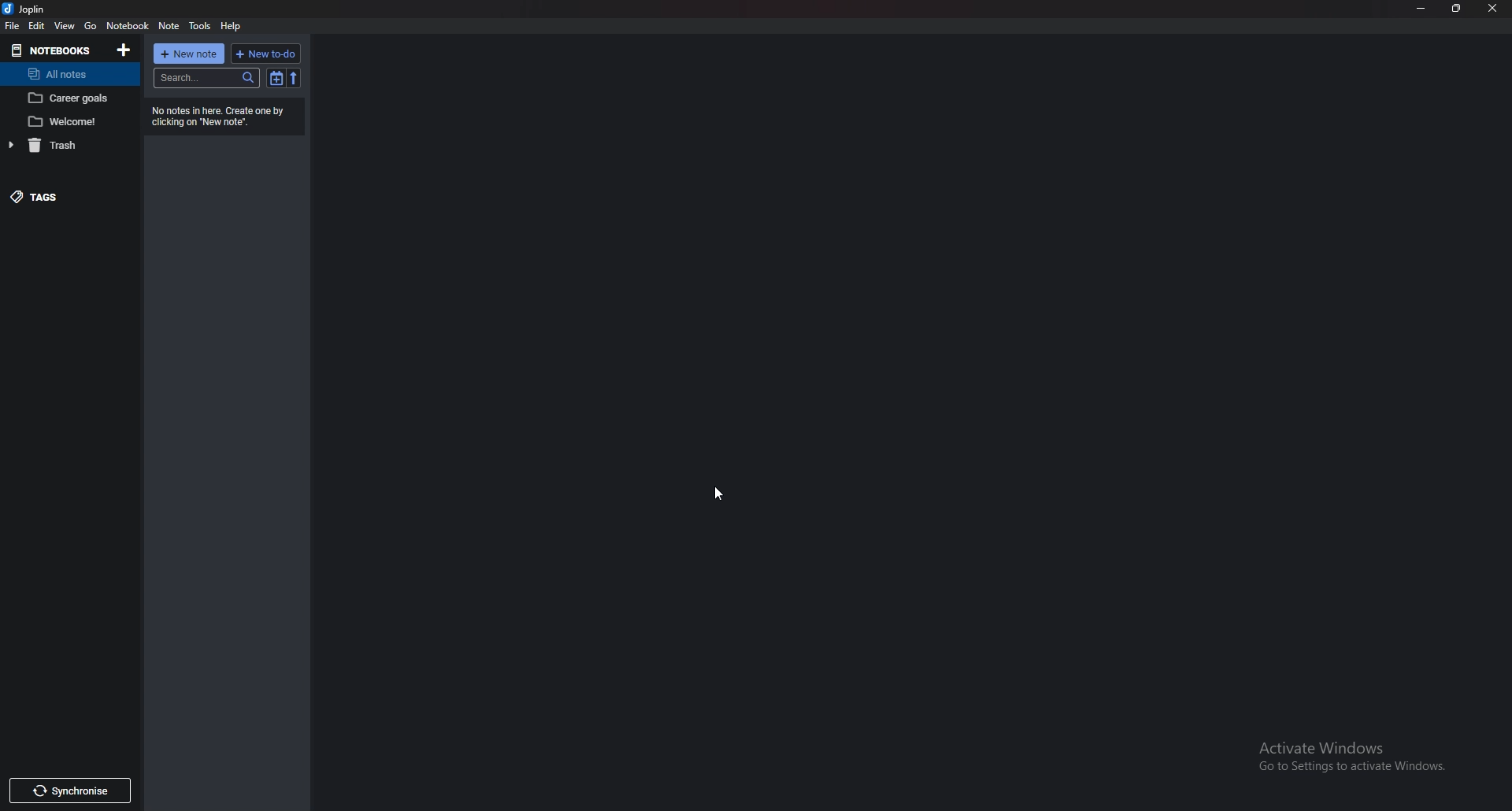  What do you see at coordinates (265, 54) in the screenshot?
I see `new todo` at bounding box center [265, 54].